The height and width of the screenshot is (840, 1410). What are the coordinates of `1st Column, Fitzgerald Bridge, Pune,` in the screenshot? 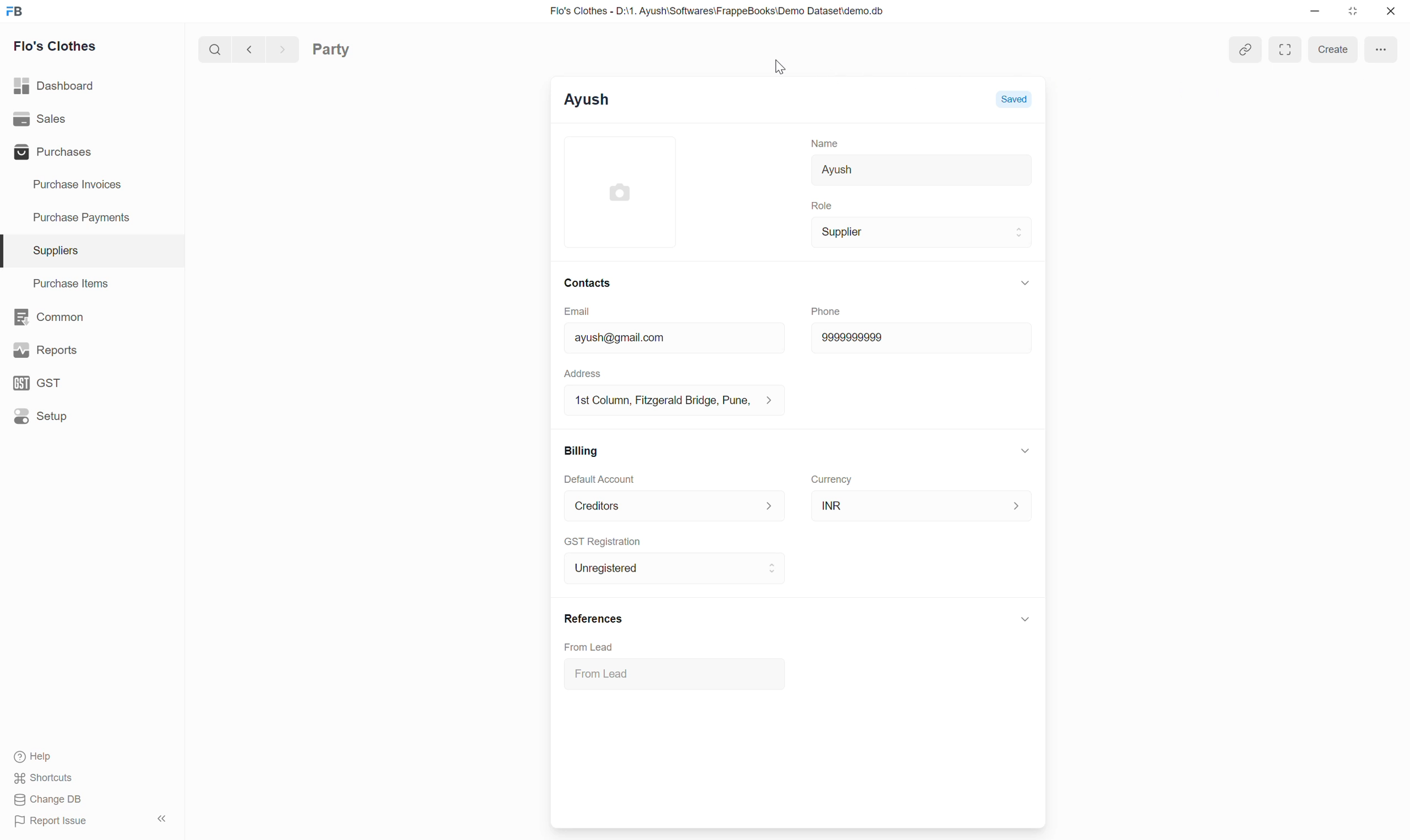 It's located at (676, 400).